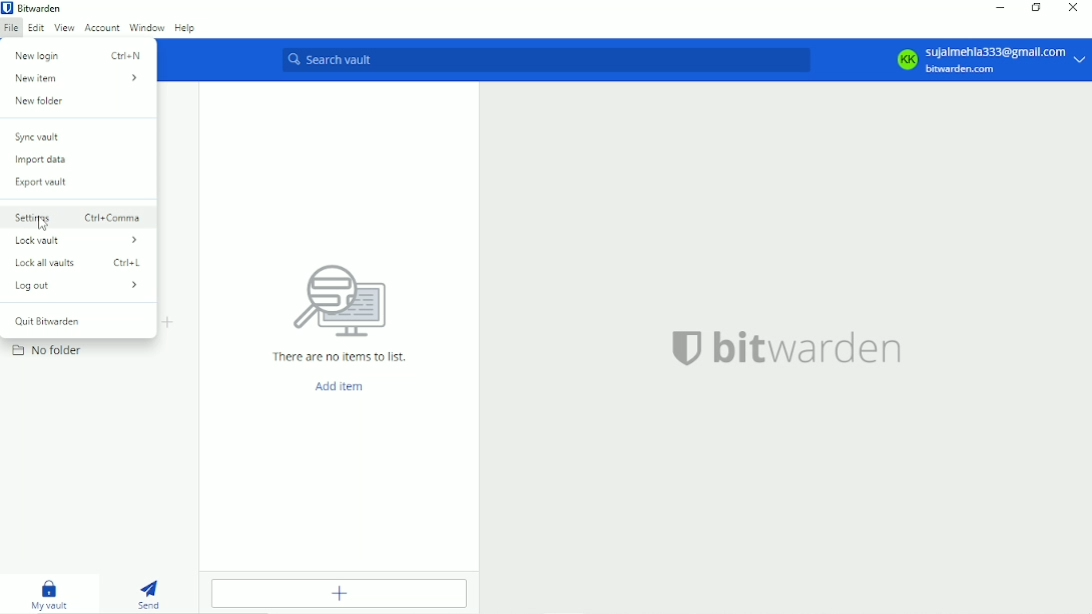 Image resolution: width=1092 pixels, height=614 pixels. Describe the element at coordinates (78, 9) in the screenshot. I see `Bitwarden` at that location.